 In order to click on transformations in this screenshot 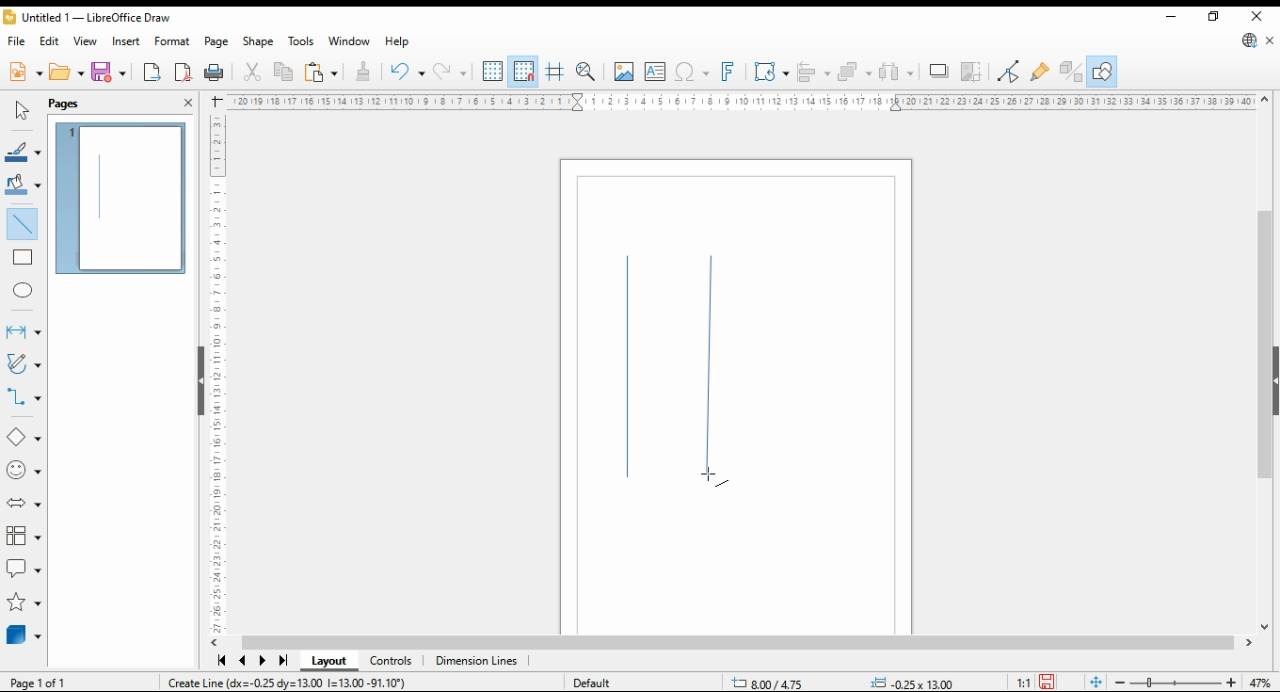, I will do `click(772, 72)`.